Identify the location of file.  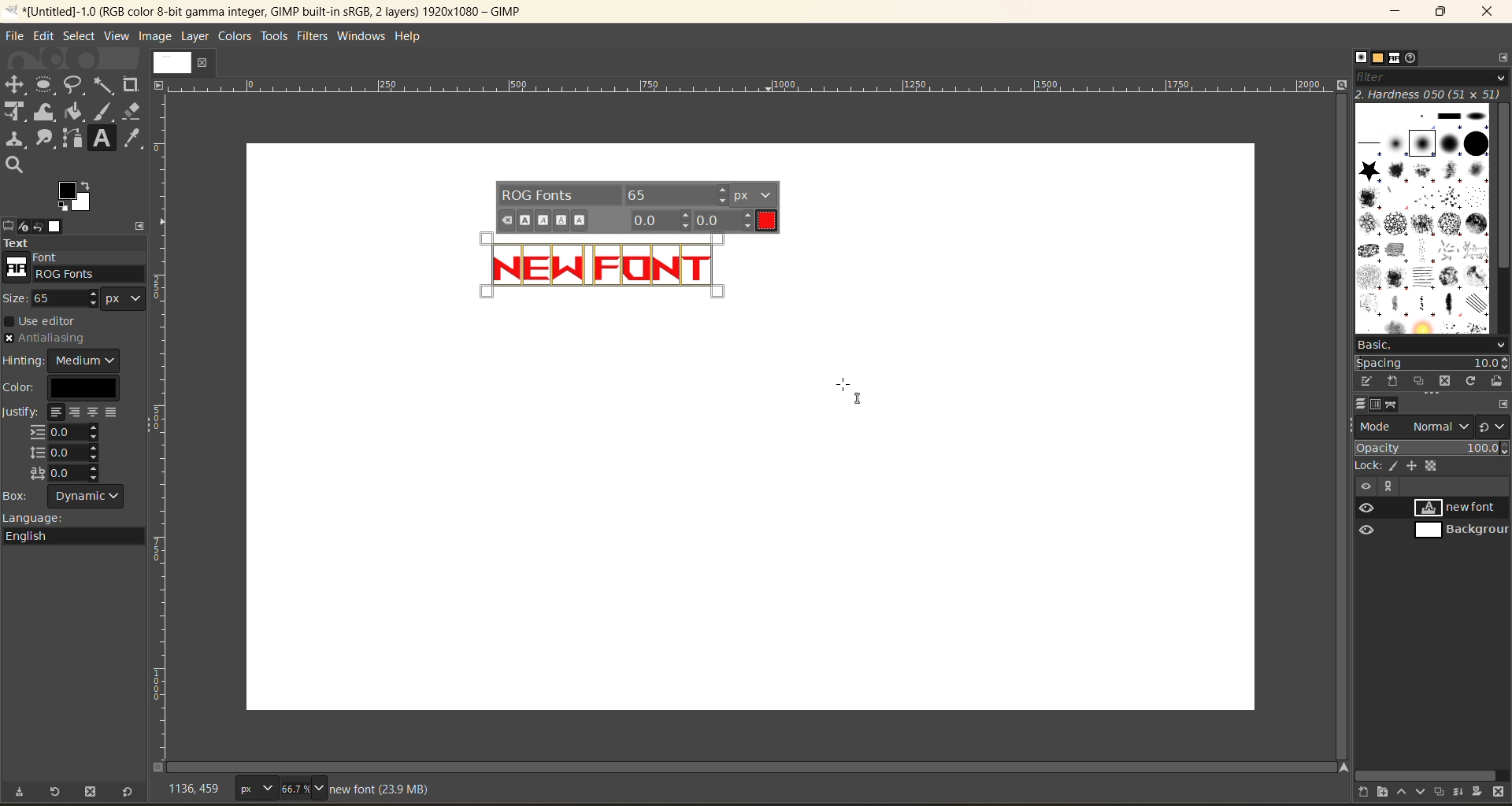
(17, 33).